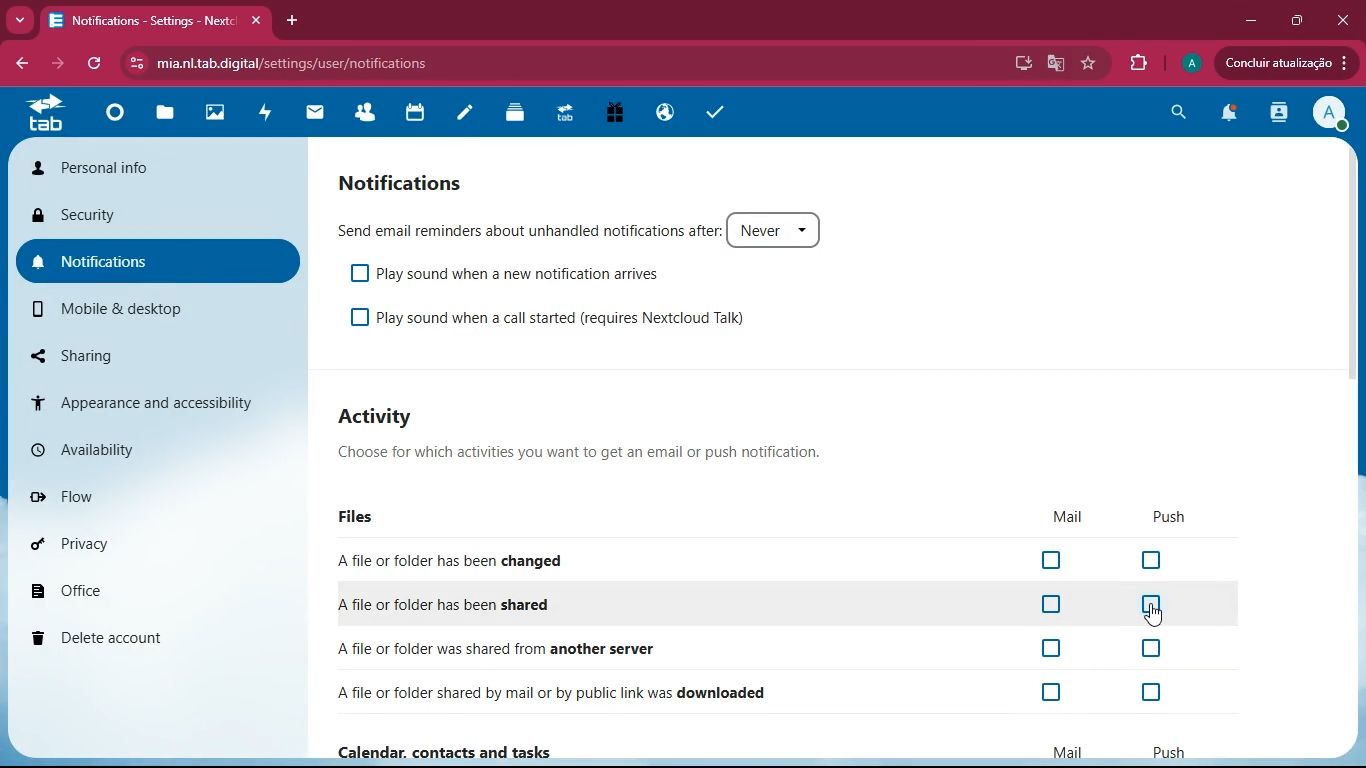 The height and width of the screenshot is (768, 1366). What do you see at coordinates (562, 117) in the screenshot?
I see `tab` at bounding box center [562, 117].